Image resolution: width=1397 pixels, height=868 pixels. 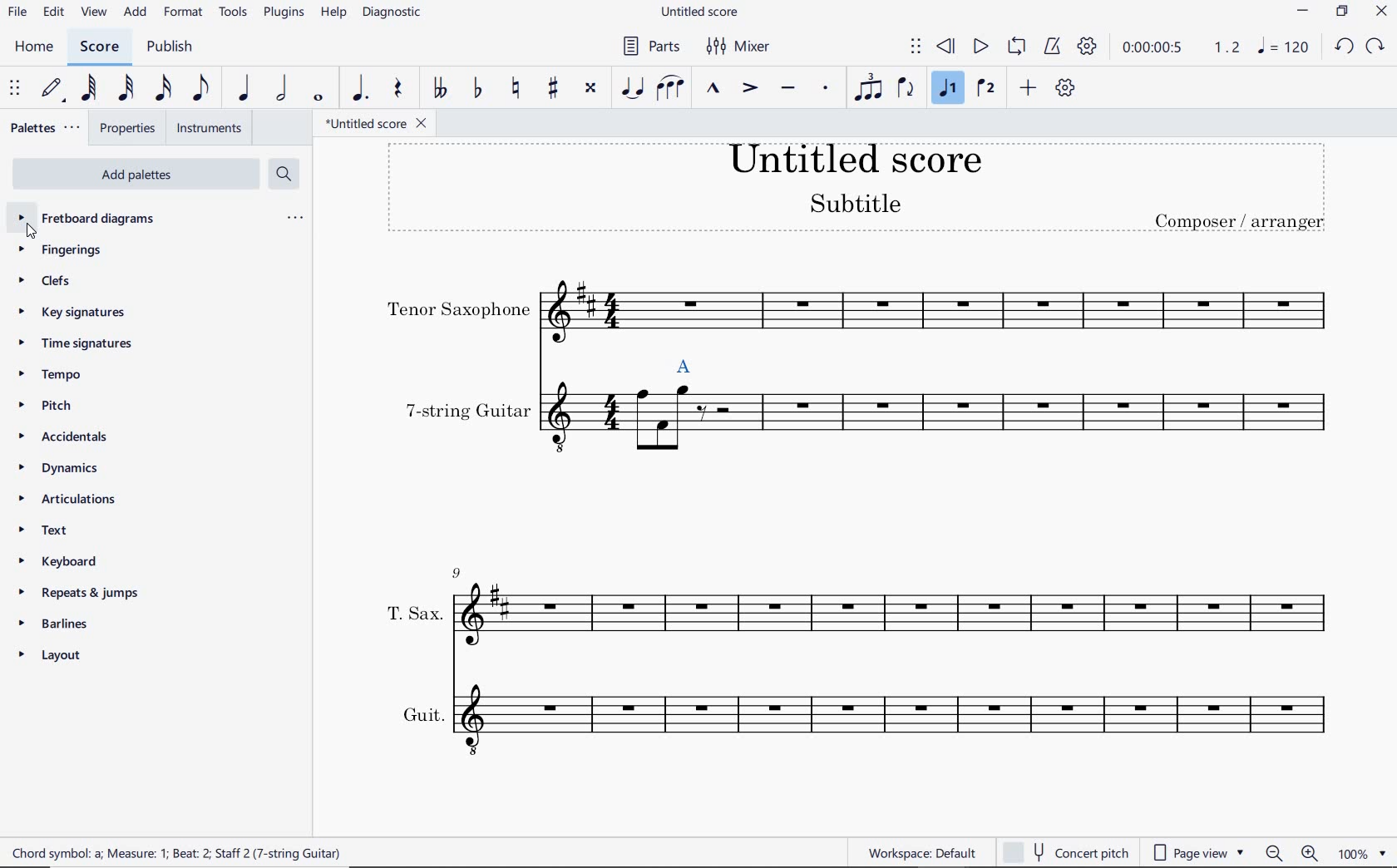 What do you see at coordinates (1201, 851) in the screenshot?
I see `PAGE VIEW` at bounding box center [1201, 851].